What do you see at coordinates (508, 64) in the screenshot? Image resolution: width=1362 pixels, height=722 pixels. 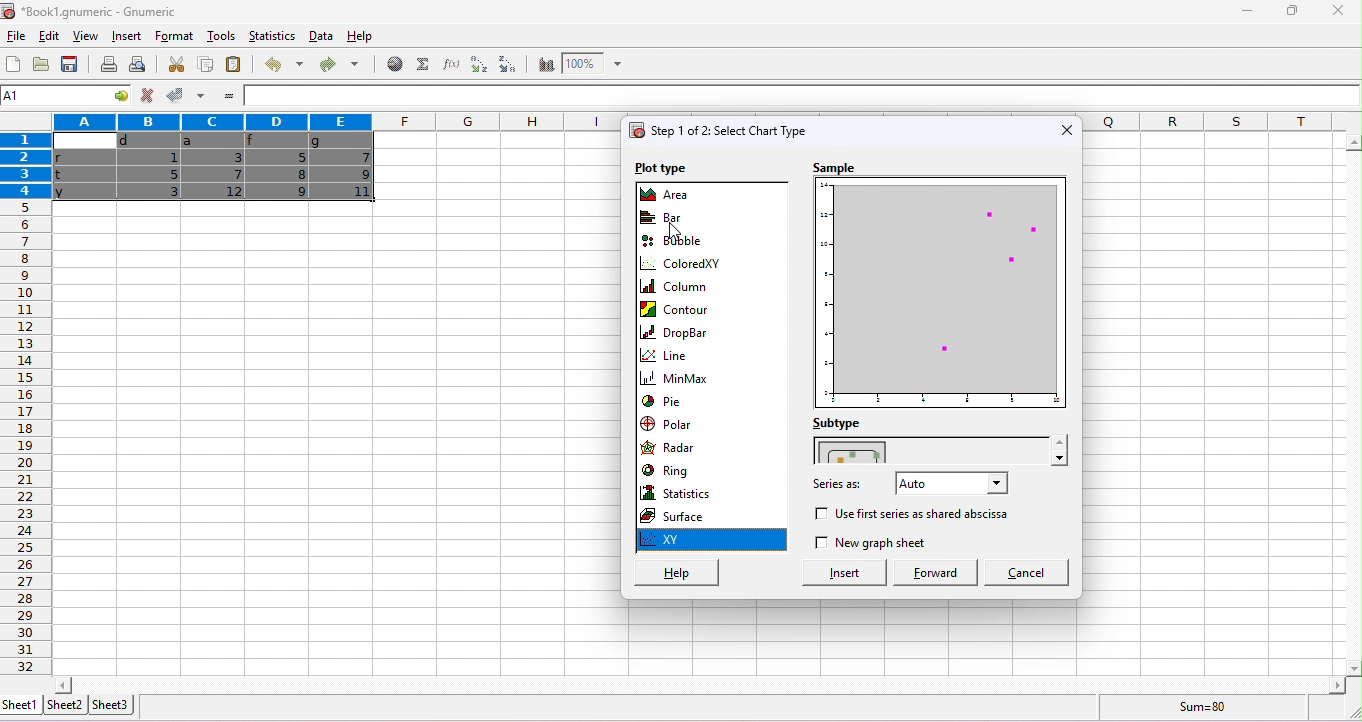 I see `sort descending` at bounding box center [508, 64].